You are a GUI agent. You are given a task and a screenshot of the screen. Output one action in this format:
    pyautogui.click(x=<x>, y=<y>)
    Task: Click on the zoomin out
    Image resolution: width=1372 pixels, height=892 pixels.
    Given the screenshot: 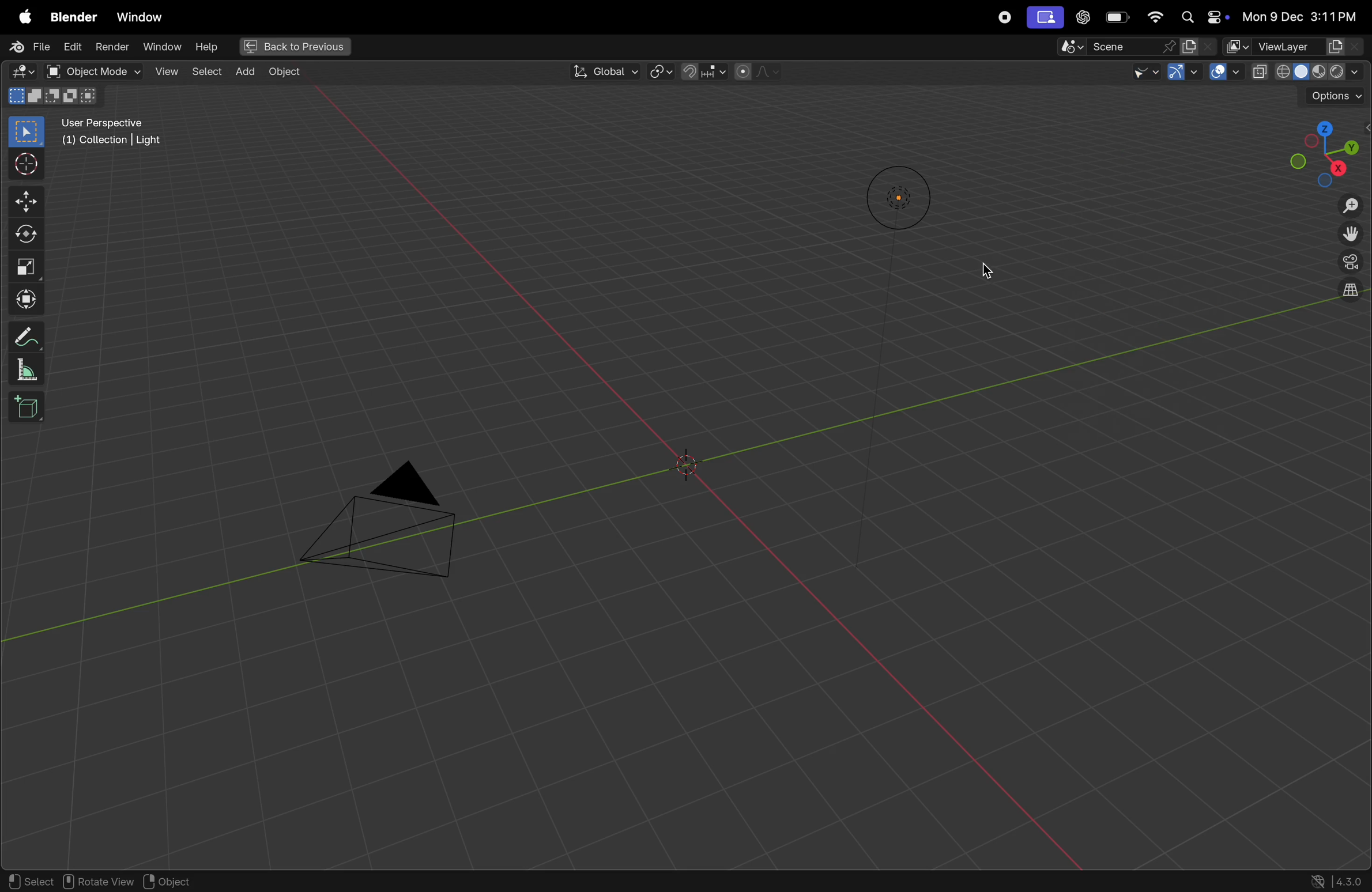 What is the action you would take?
    pyautogui.click(x=1351, y=207)
    